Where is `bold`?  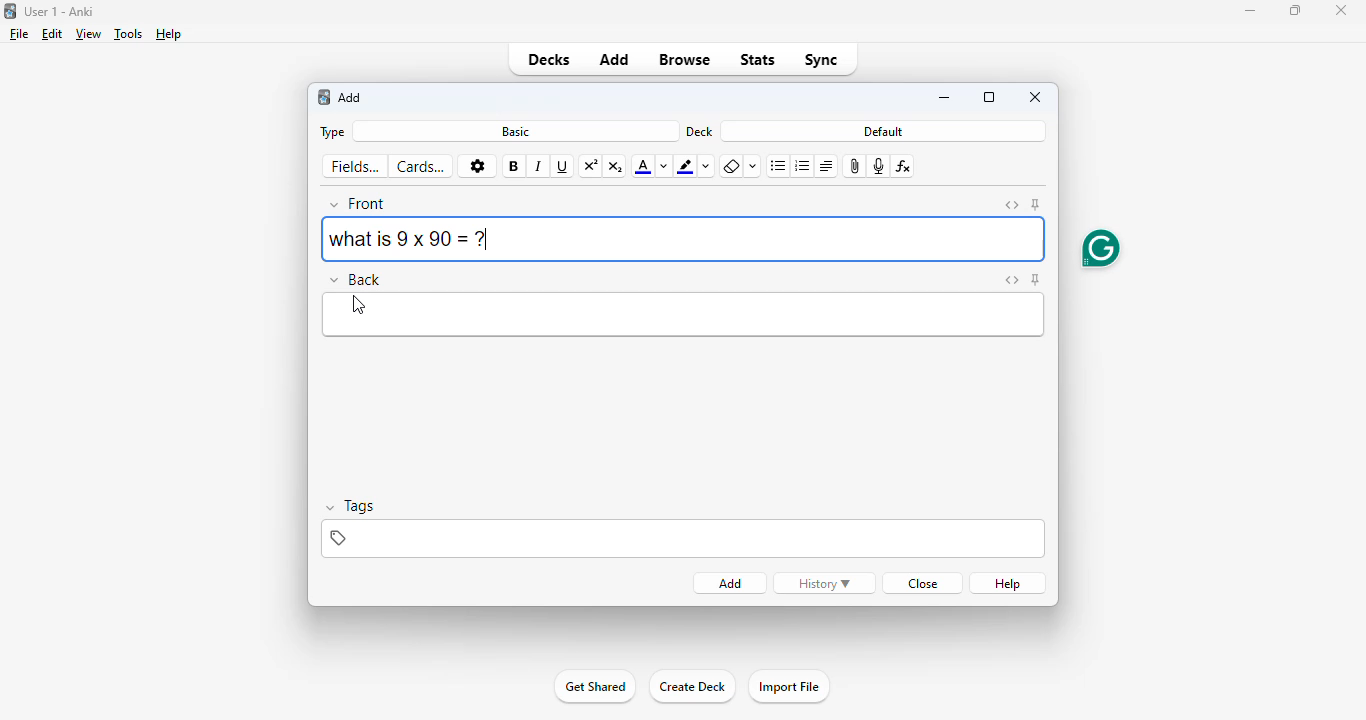
bold is located at coordinates (514, 166).